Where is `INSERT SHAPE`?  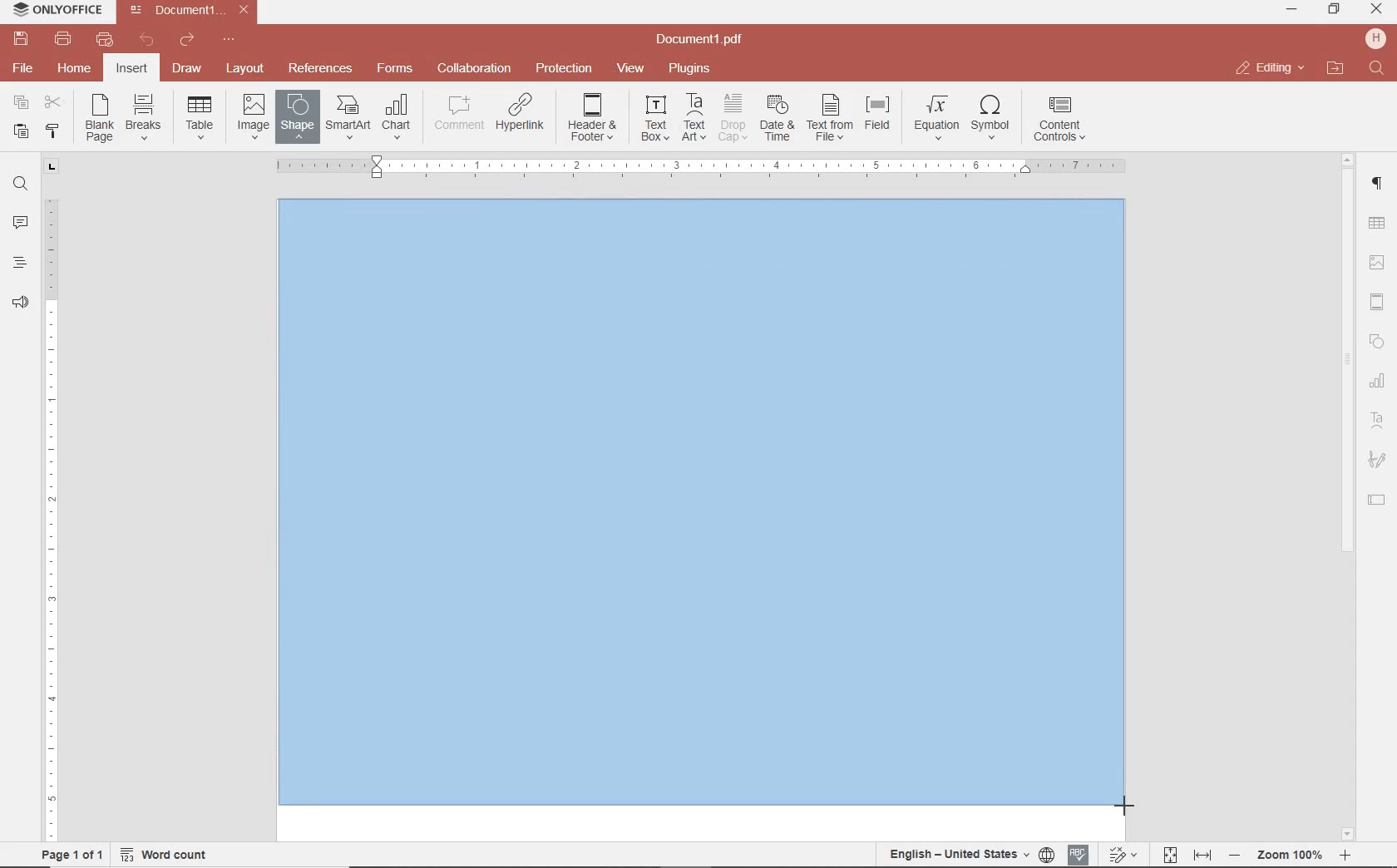 INSERT SHAPE is located at coordinates (296, 116).